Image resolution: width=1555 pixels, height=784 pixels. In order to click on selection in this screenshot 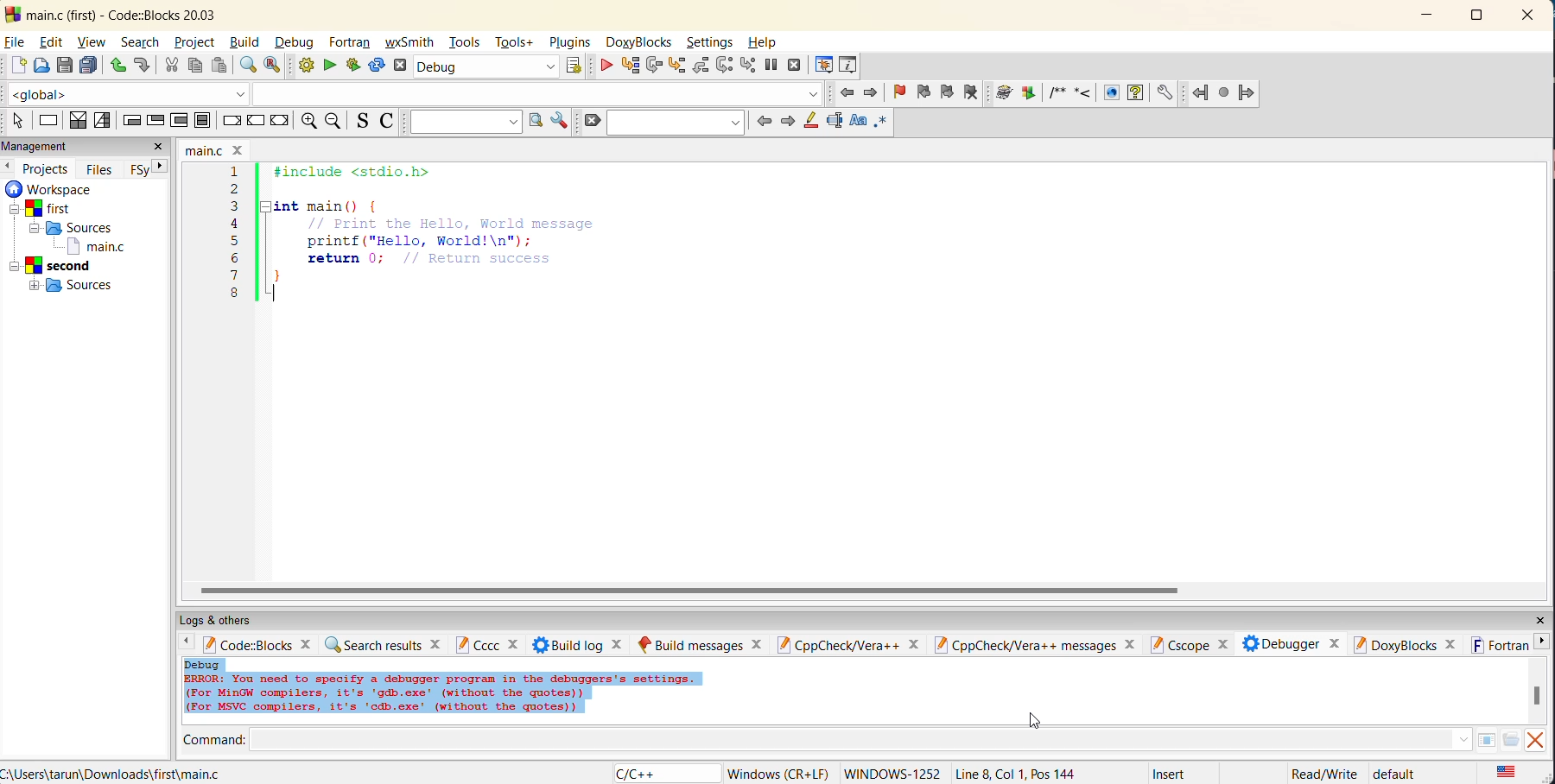, I will do `click(101, 121)`.